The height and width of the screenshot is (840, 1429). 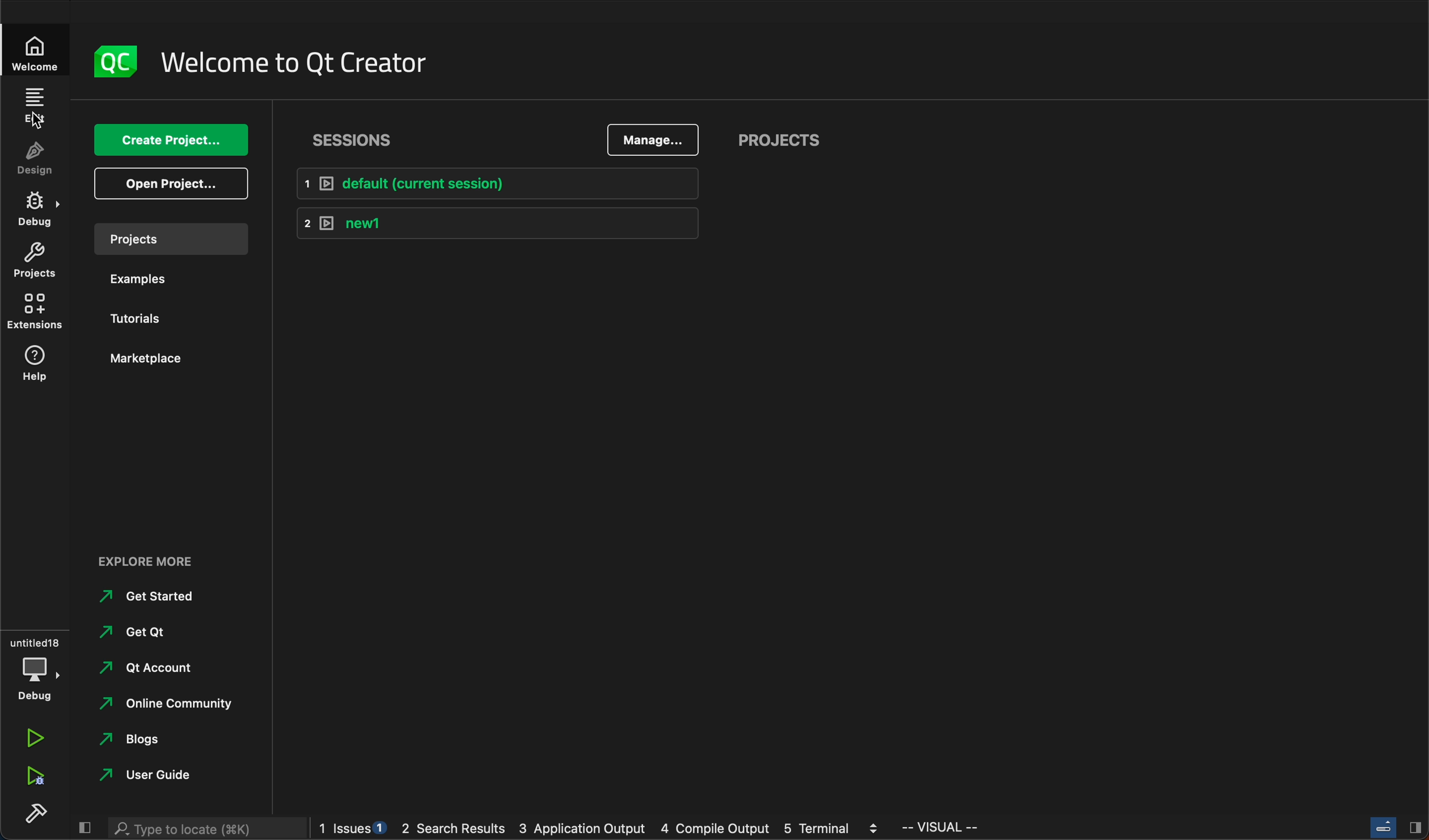 I want to click on started, so click(x=151, y=597).